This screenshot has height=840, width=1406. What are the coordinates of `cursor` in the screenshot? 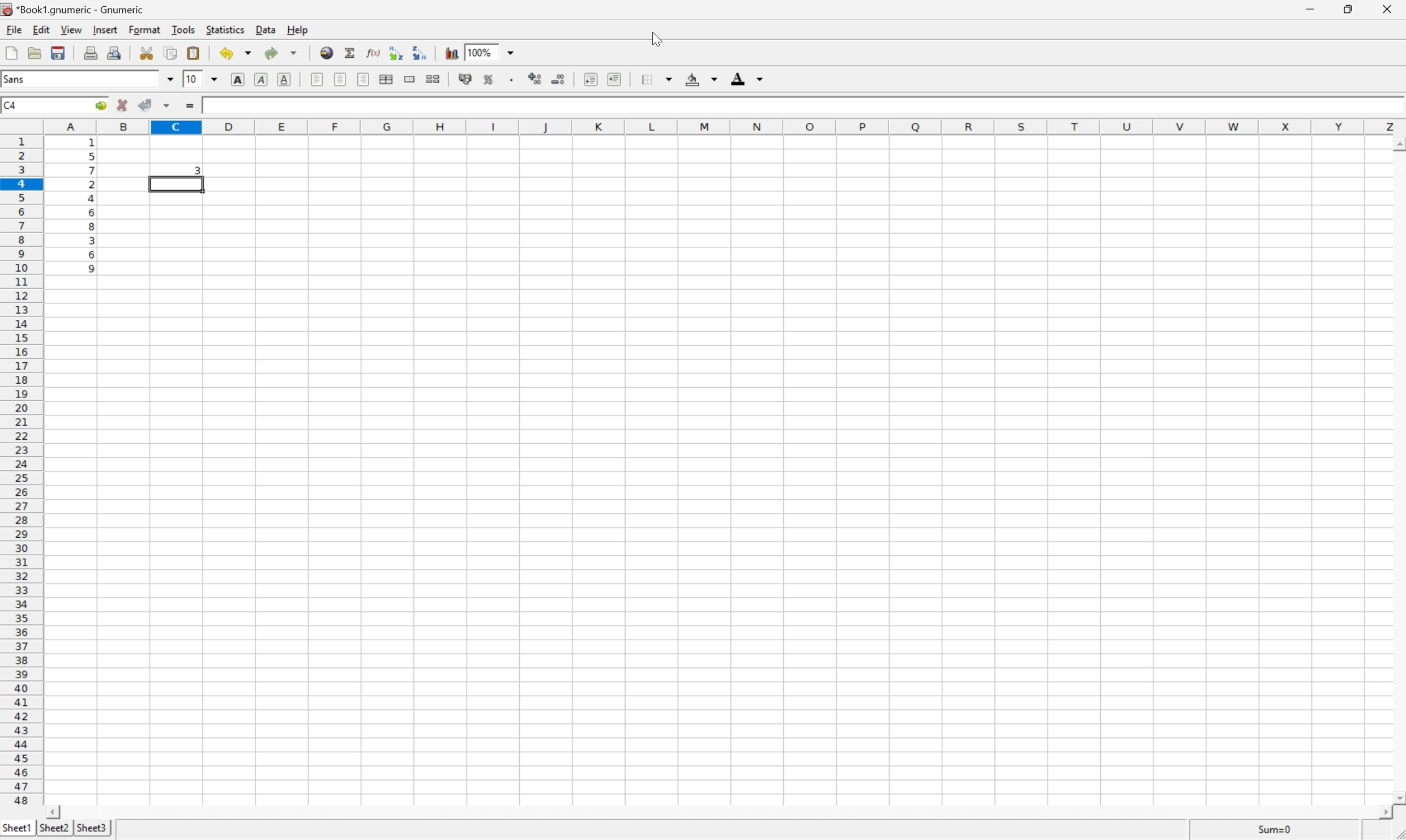 It's located at (657, 38).